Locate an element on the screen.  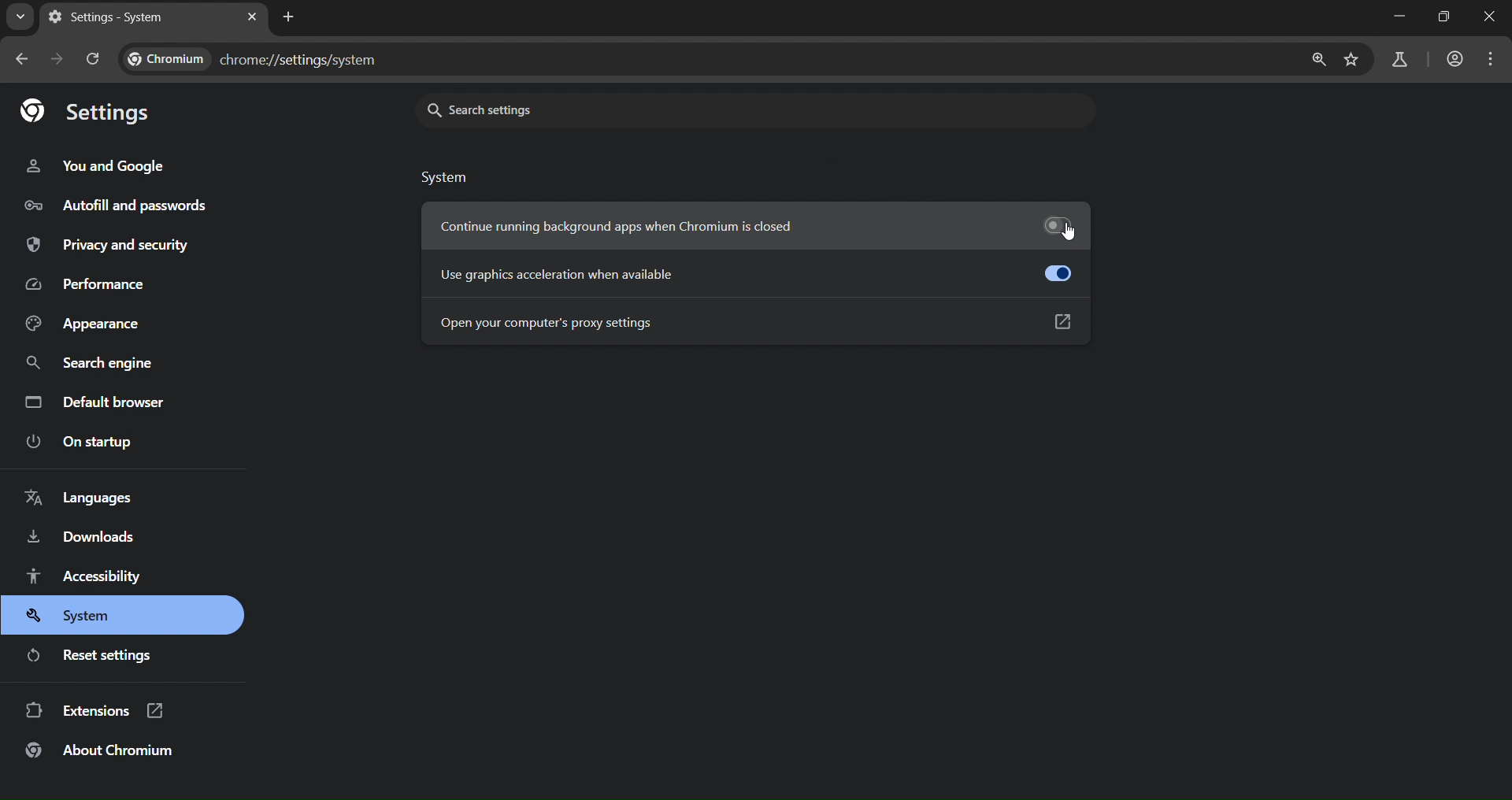
minimize is located at coordinates (1392, 17).